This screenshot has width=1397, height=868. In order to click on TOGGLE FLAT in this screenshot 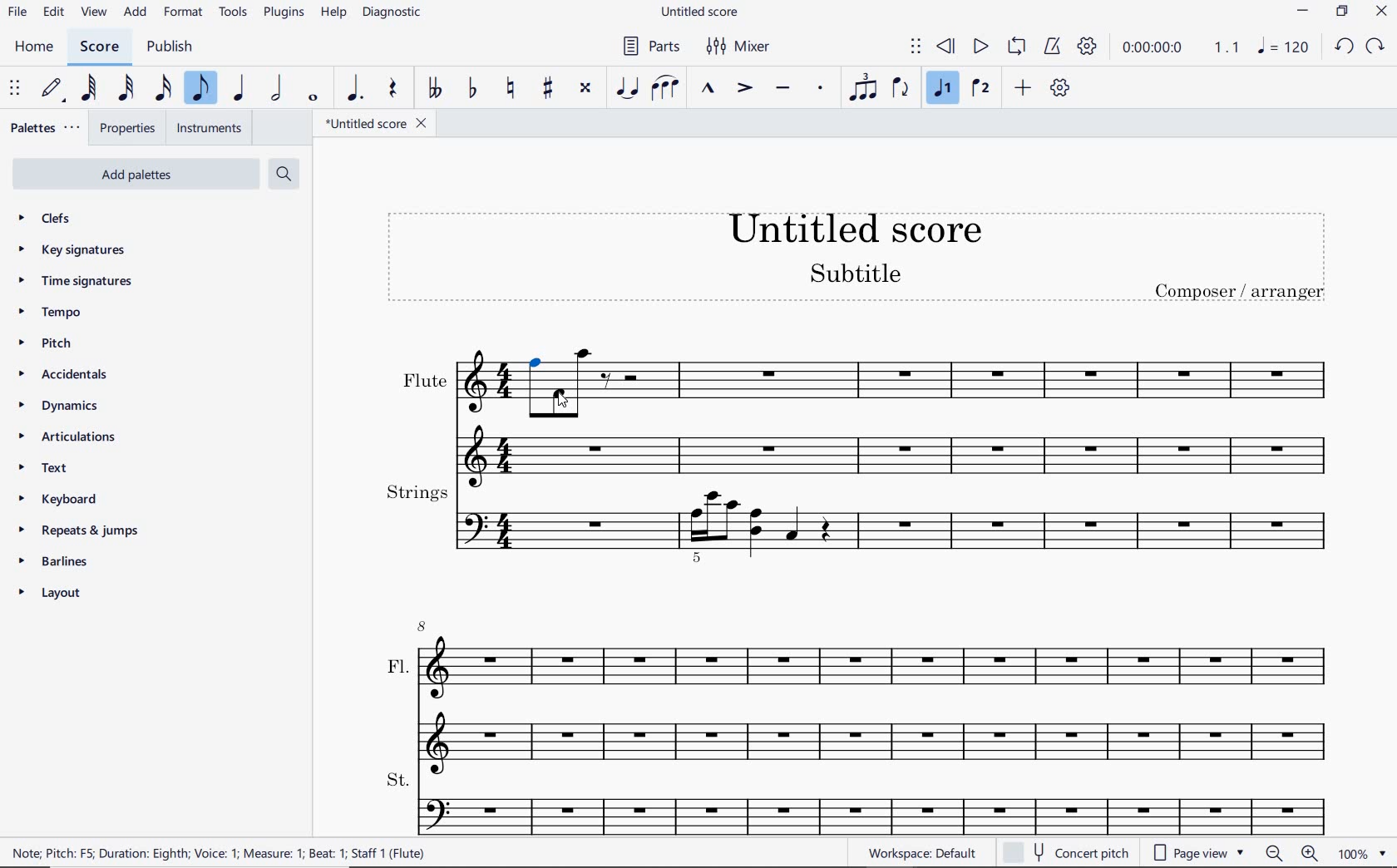, I will do `click(474, 86)`.